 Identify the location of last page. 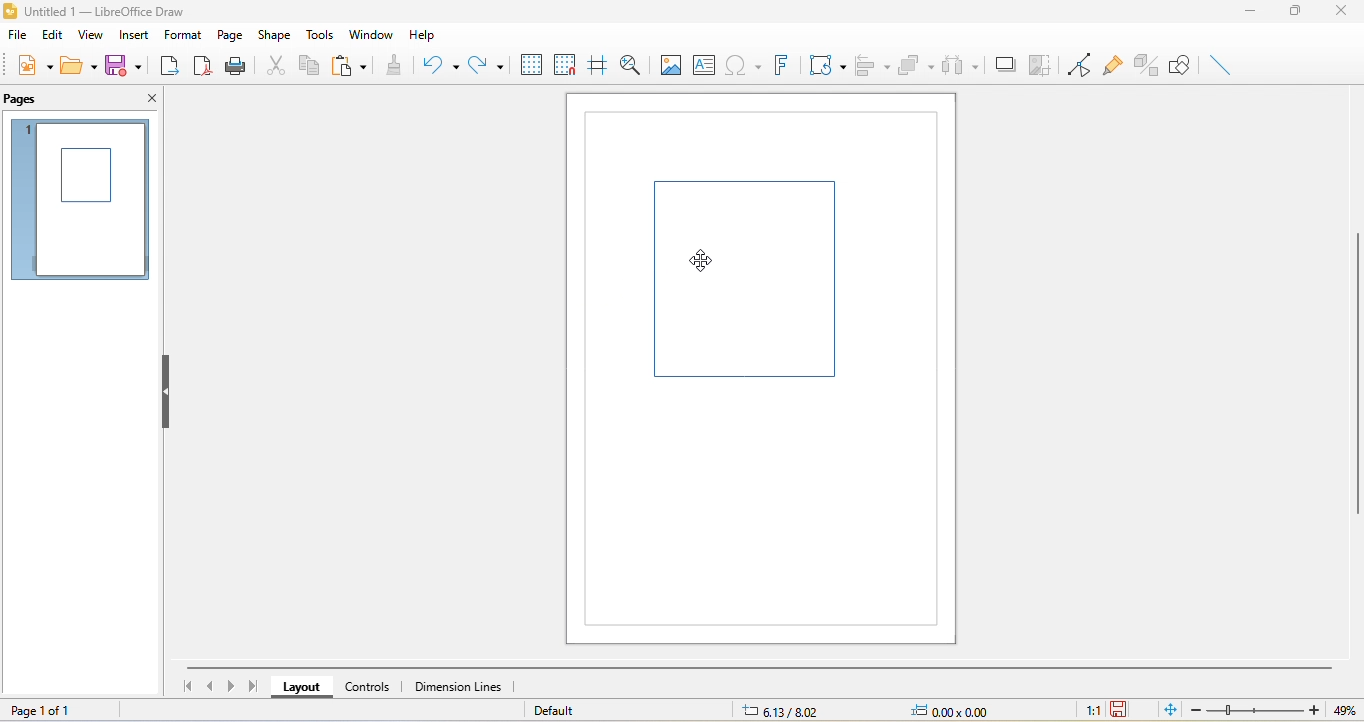
(254, 687).